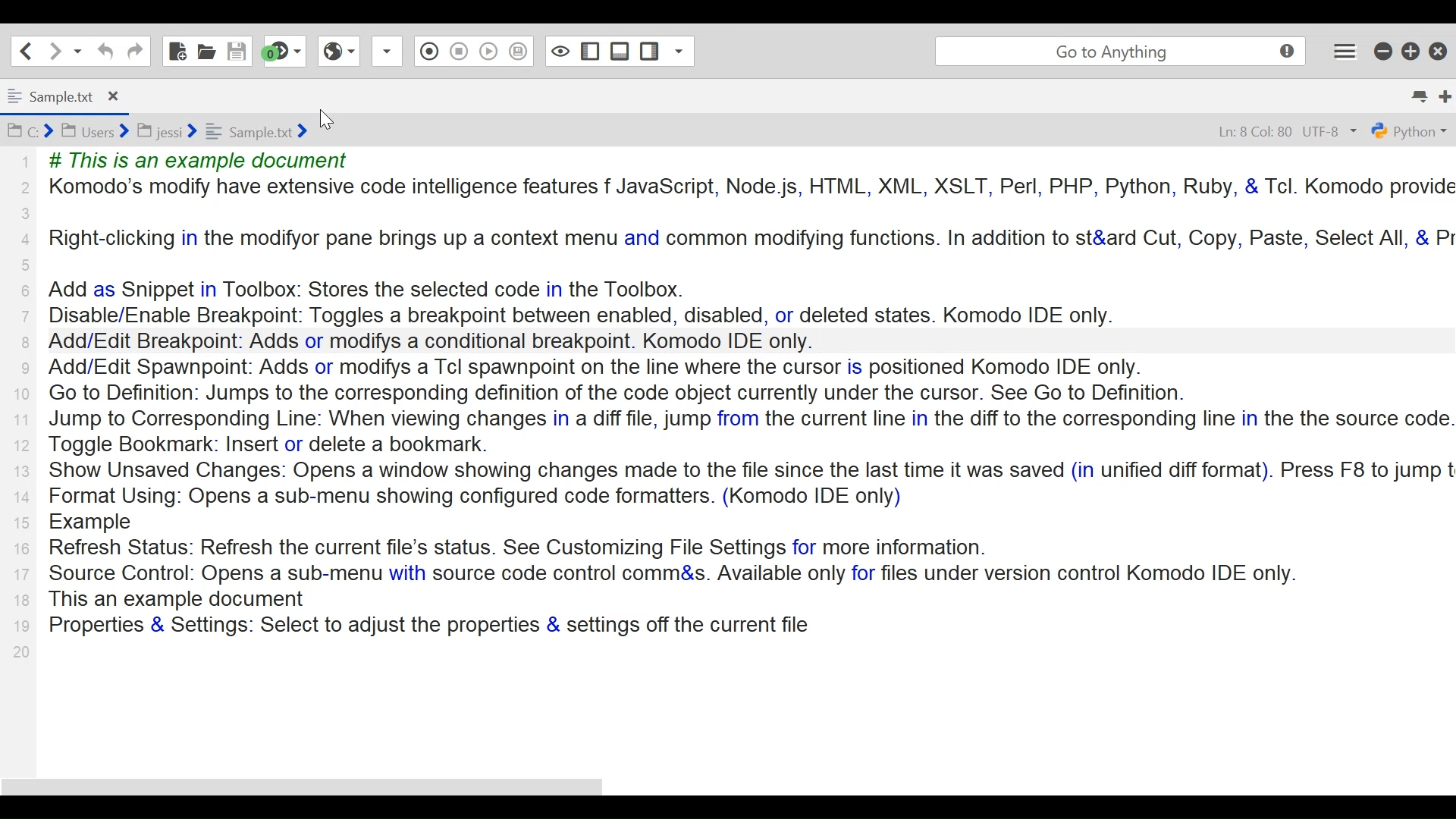 The image size is (1456, 819). I want to click on Toggle Focus Mode, so click(561, 52).